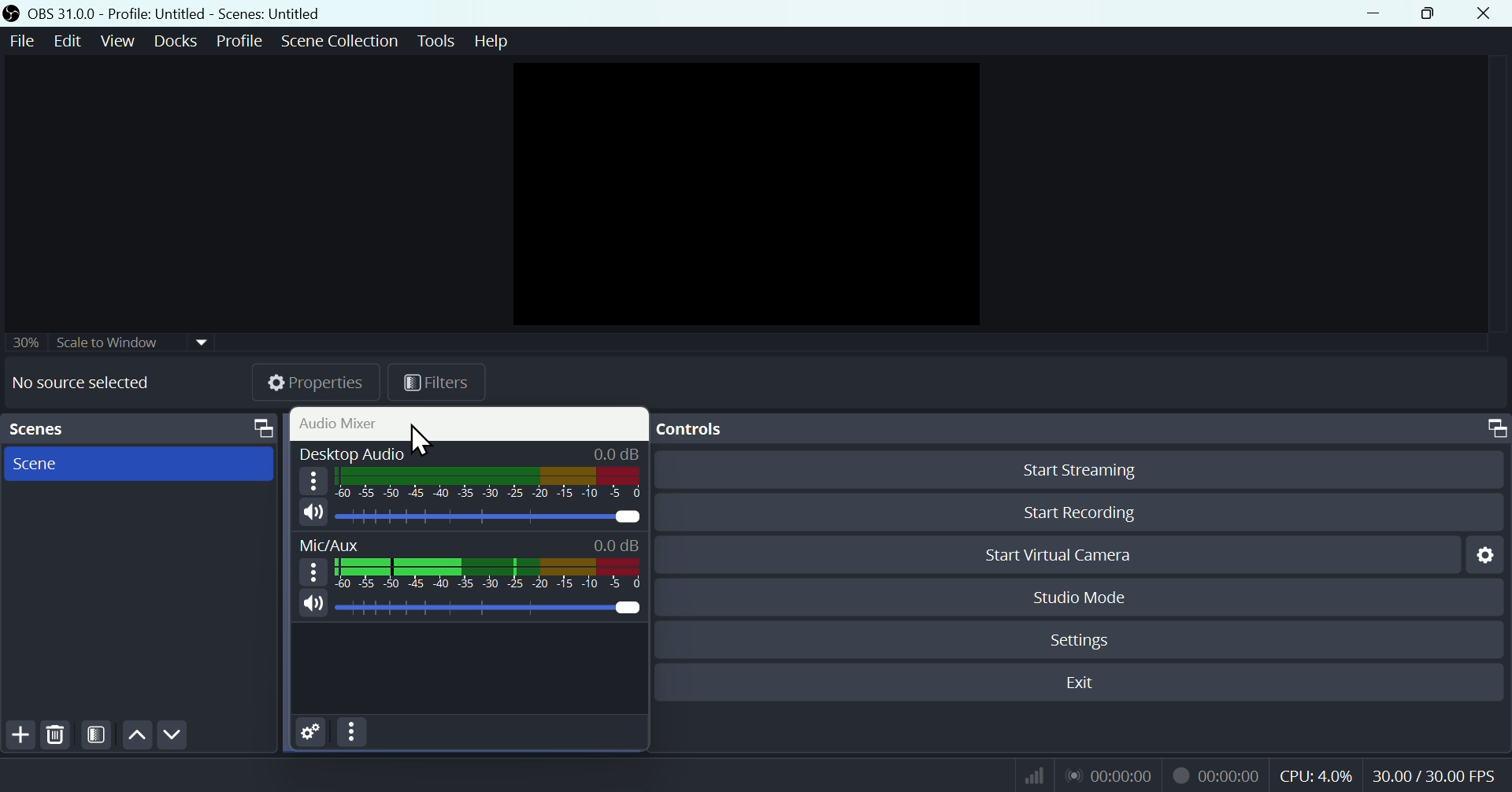 This screenshot has height=792, width=1512. I want to click on 0.0dB, so click(617, 542).